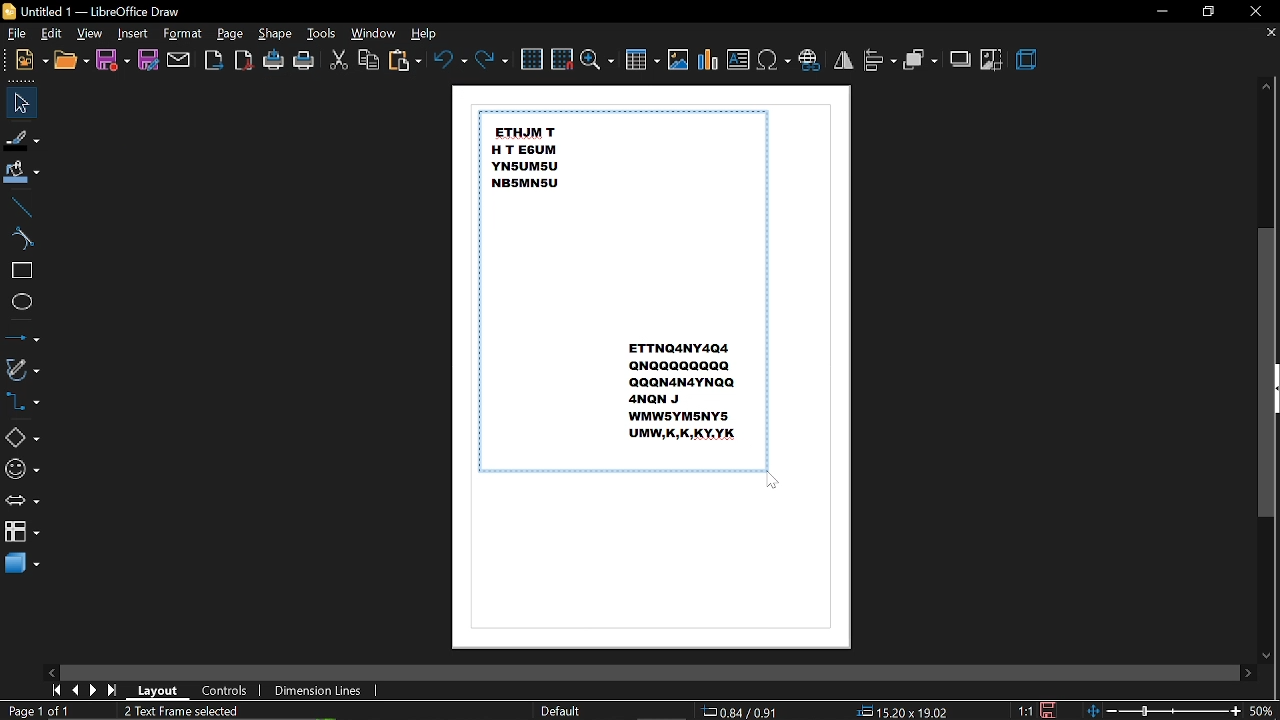  What do you see at coordinates (738, 60) in the screenshot?
I see `insert text` at bounding box center [738, 60].